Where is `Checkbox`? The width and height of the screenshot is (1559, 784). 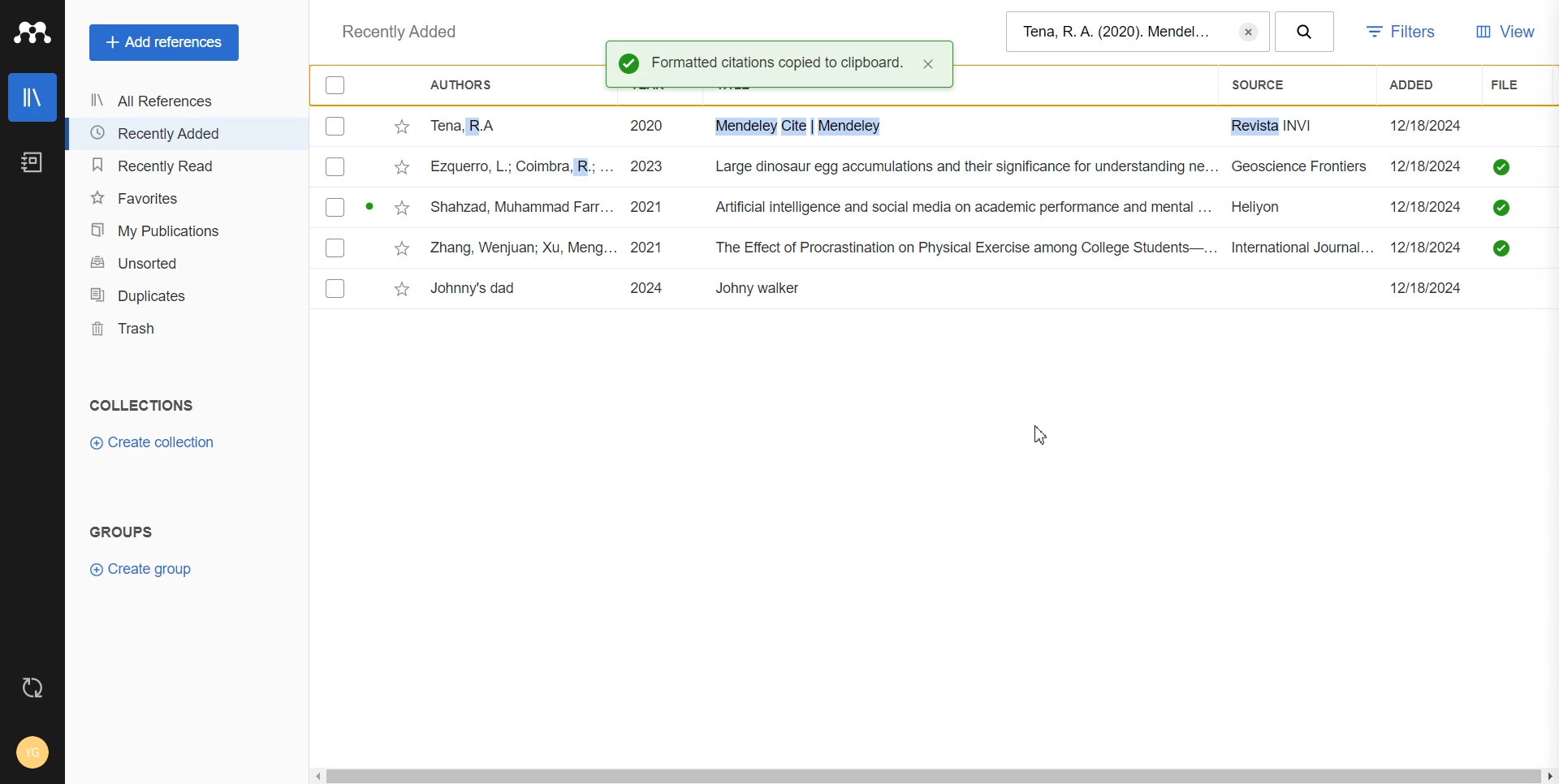
Checkbox is located at coordinates (335, 289).